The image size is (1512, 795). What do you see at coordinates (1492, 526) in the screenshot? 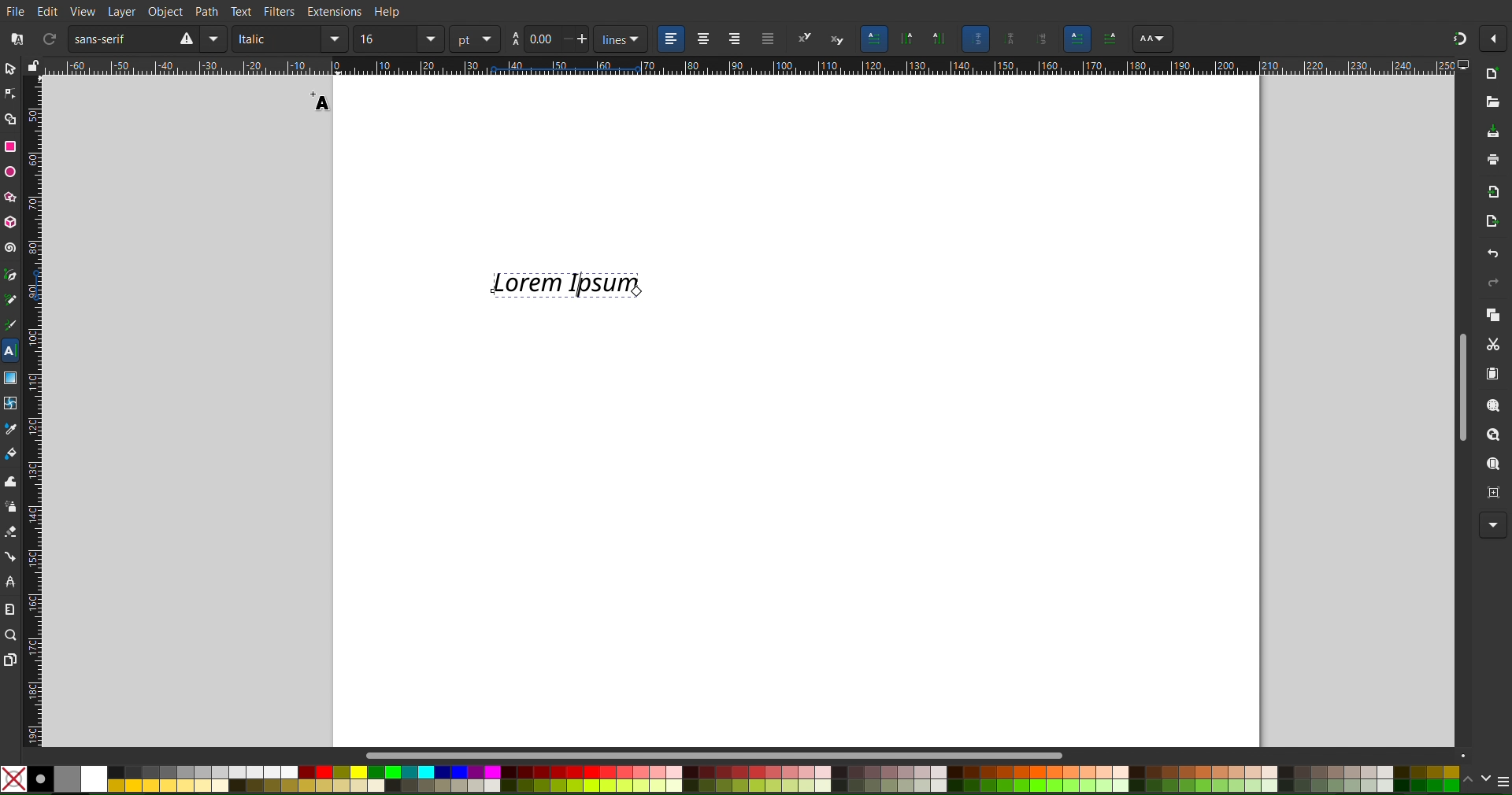
I see `More Options` at bounding box center [1492, 526].